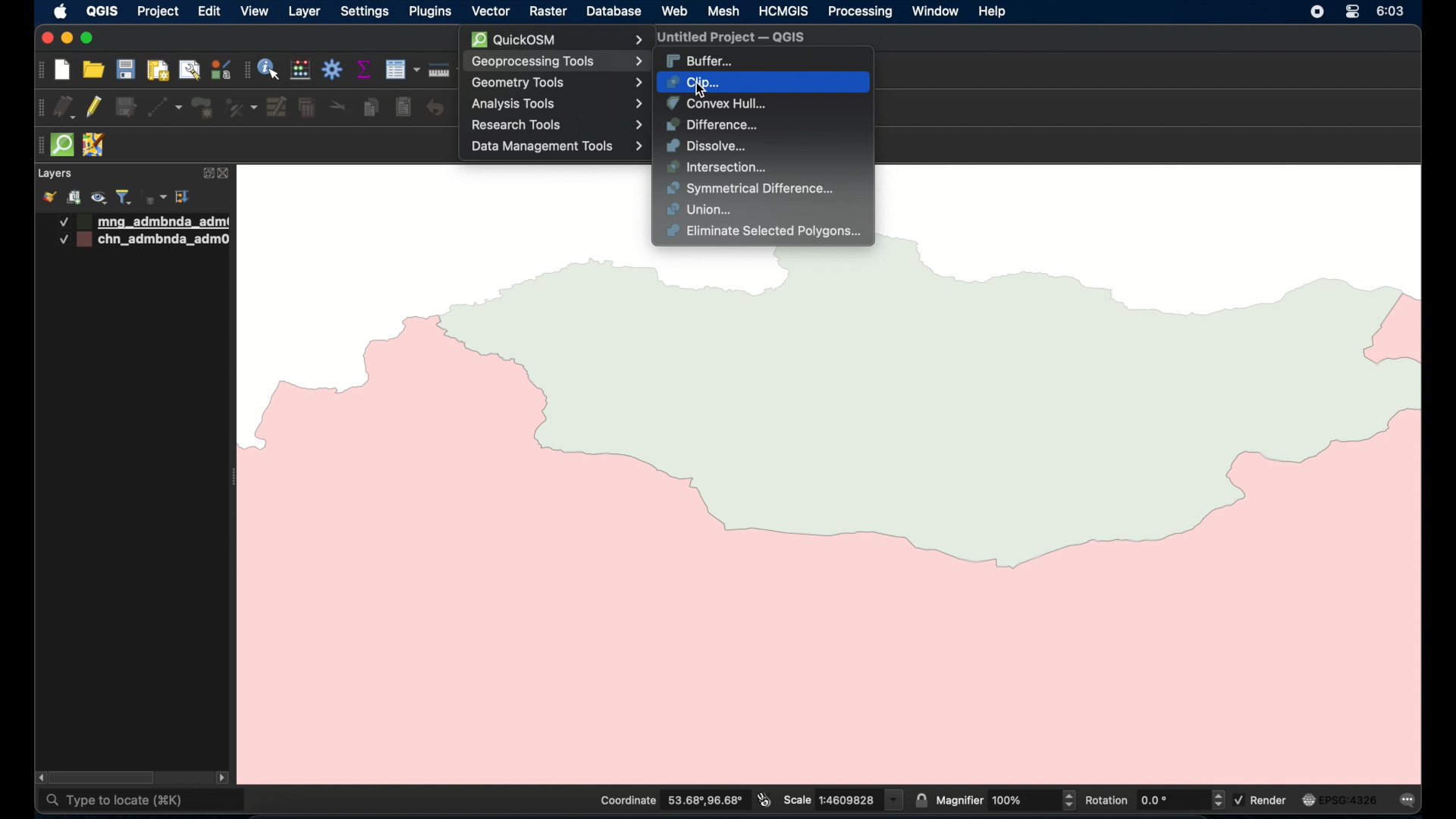  What do you see at coordinates (63, 71) in the screenshot?
I see `new project` at bounding box center [63, 71].